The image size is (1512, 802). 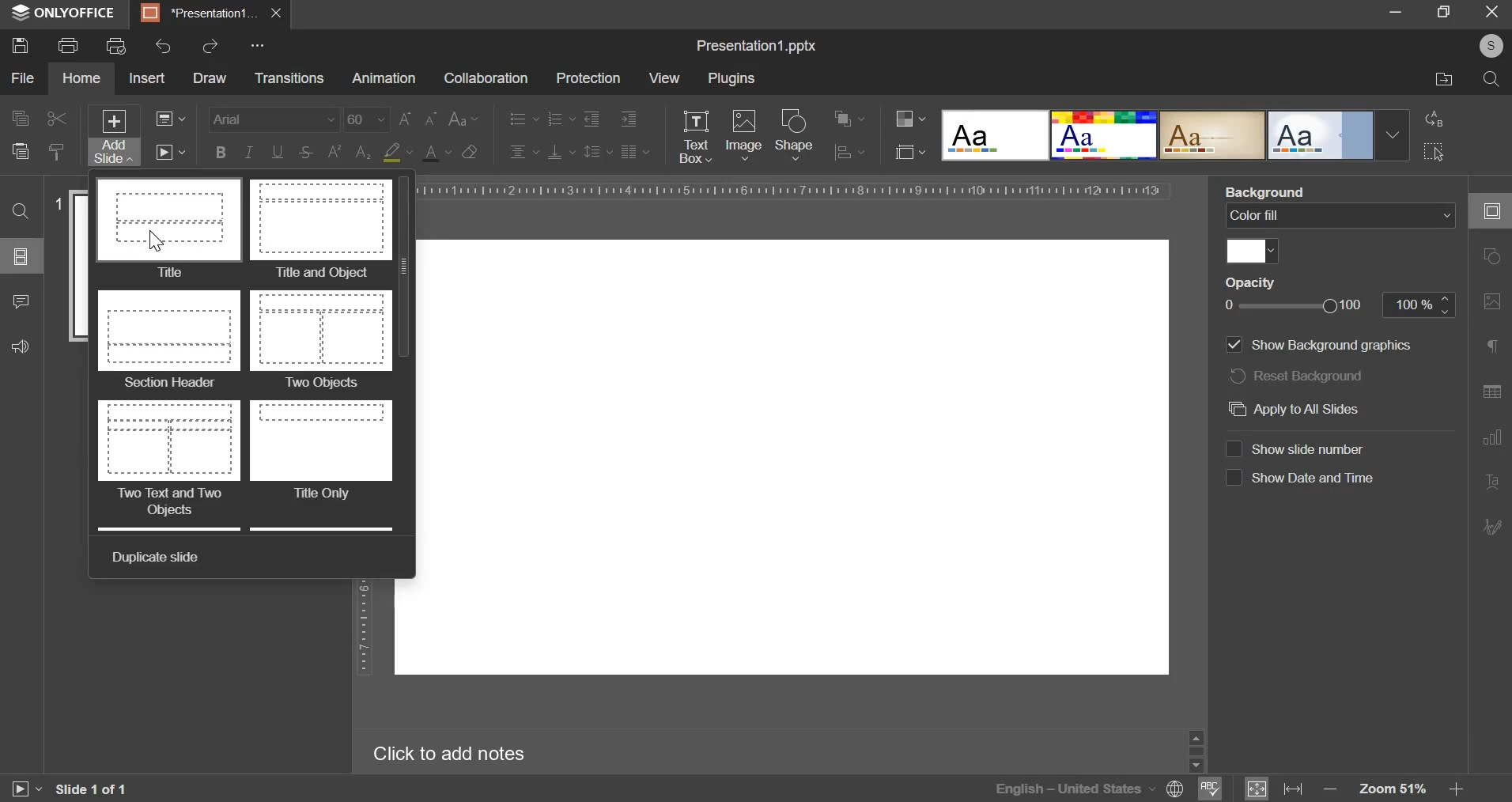 I want to click on slide, so click(x=781, y=458).